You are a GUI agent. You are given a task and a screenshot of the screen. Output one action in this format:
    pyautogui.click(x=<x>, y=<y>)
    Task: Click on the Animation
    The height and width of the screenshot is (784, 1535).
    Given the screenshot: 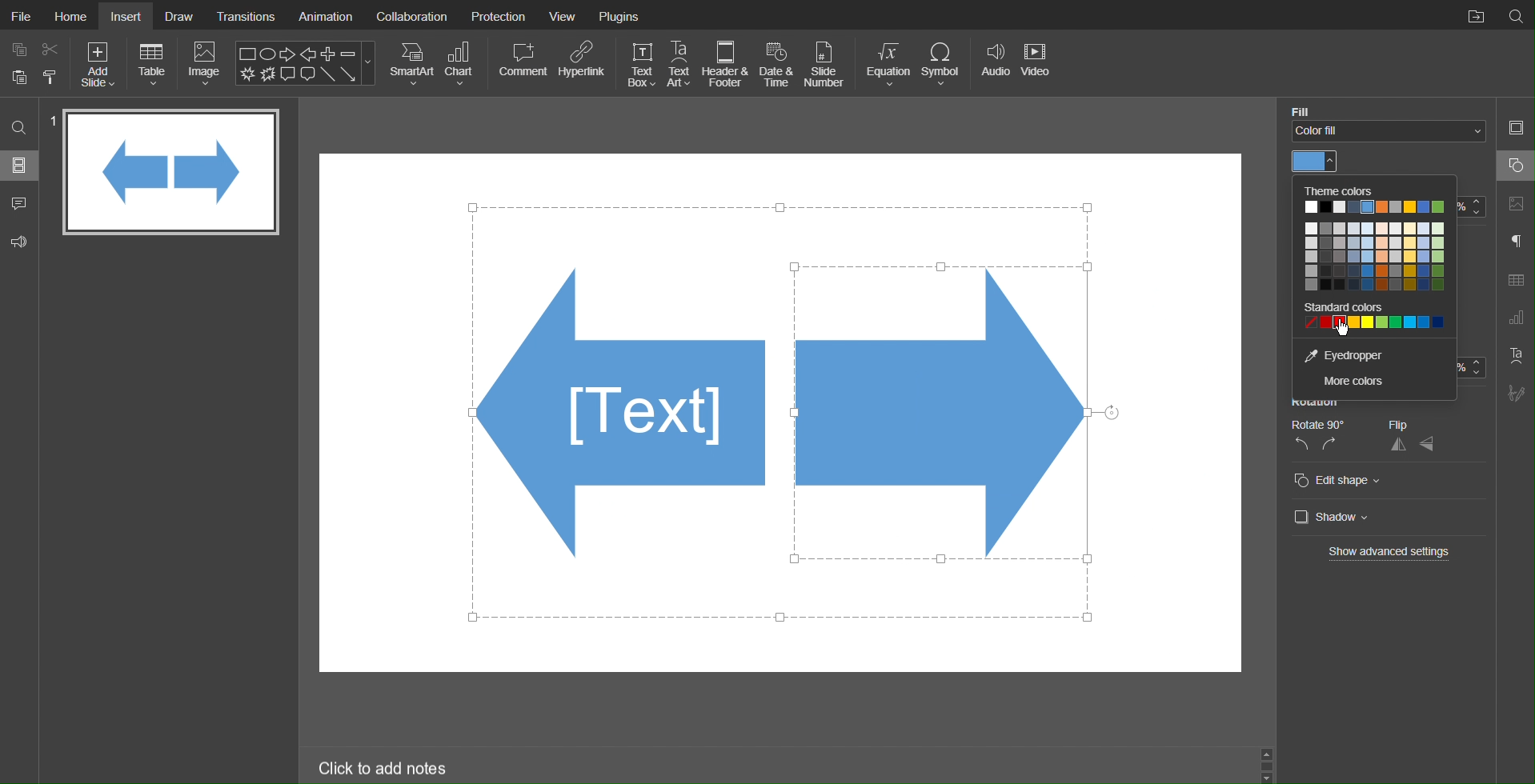 What is the action you would take?
    pyautogui.click(x=325, y=14)
    